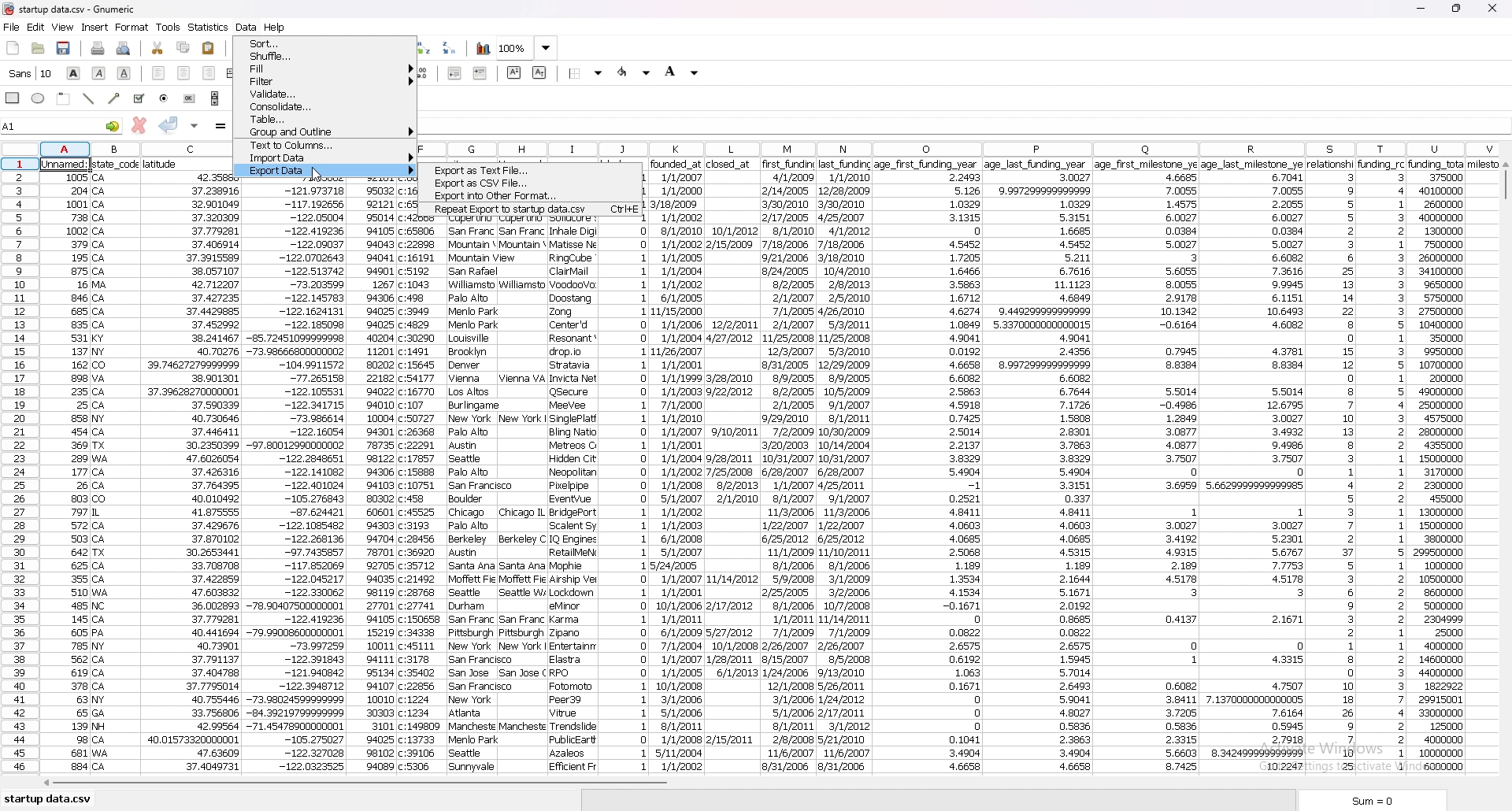 This screenshot has width=1512, height=811. I want to click on file name, so click(88, 9).